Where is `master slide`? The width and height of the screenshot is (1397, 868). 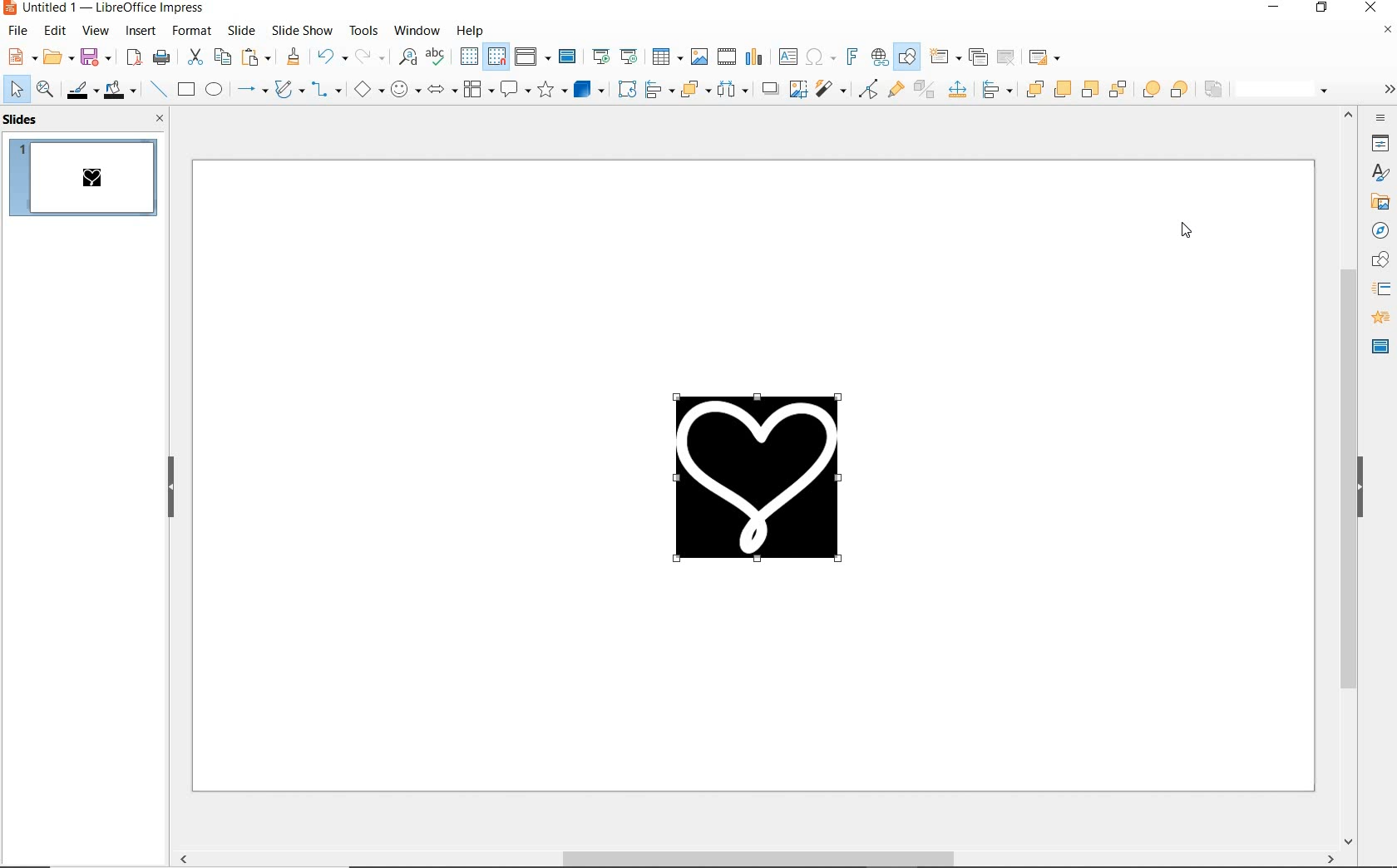
master slide is located at coordinates (568, 57).